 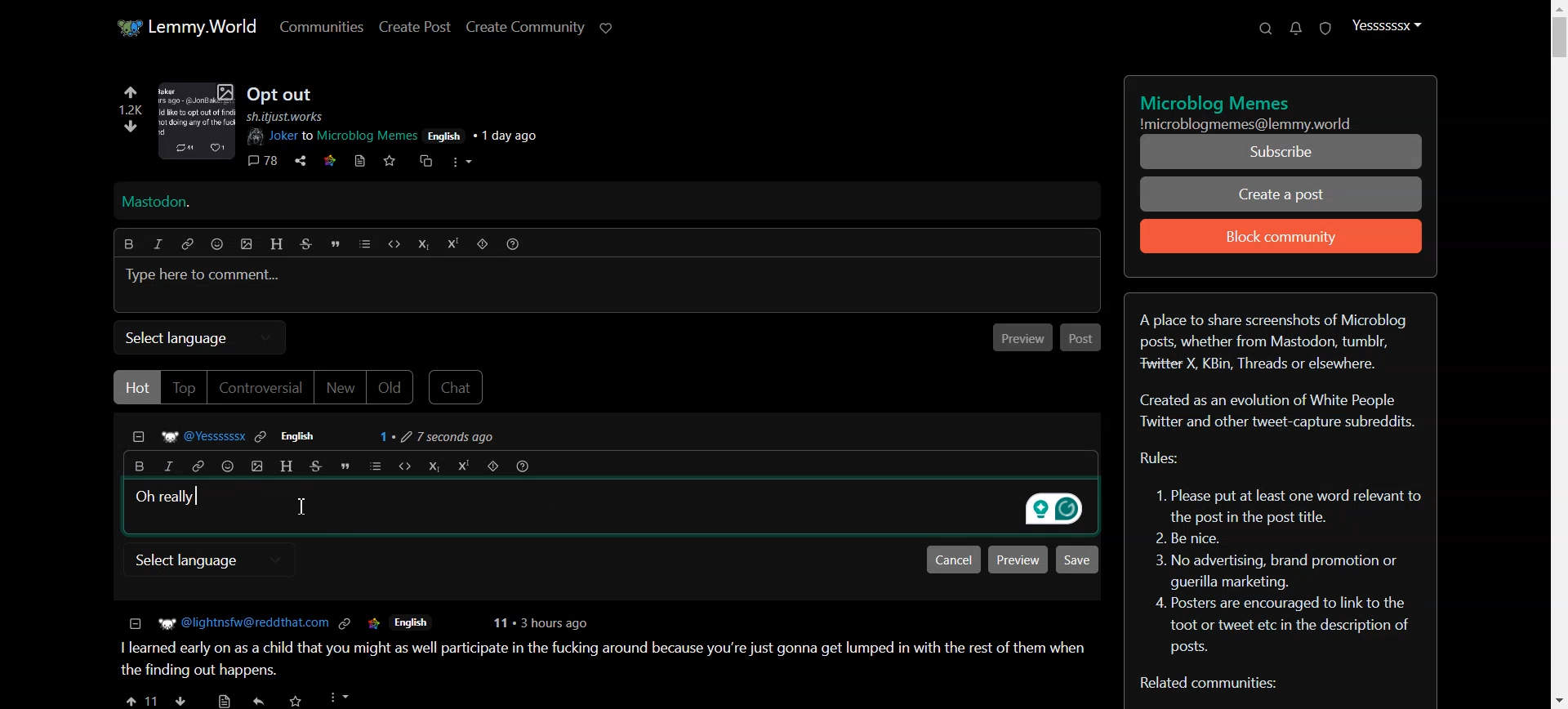 What do you see at coordinates (608, 29) in the screenshot?
I see `Support Lemmy` at bounding box center [608, 29].